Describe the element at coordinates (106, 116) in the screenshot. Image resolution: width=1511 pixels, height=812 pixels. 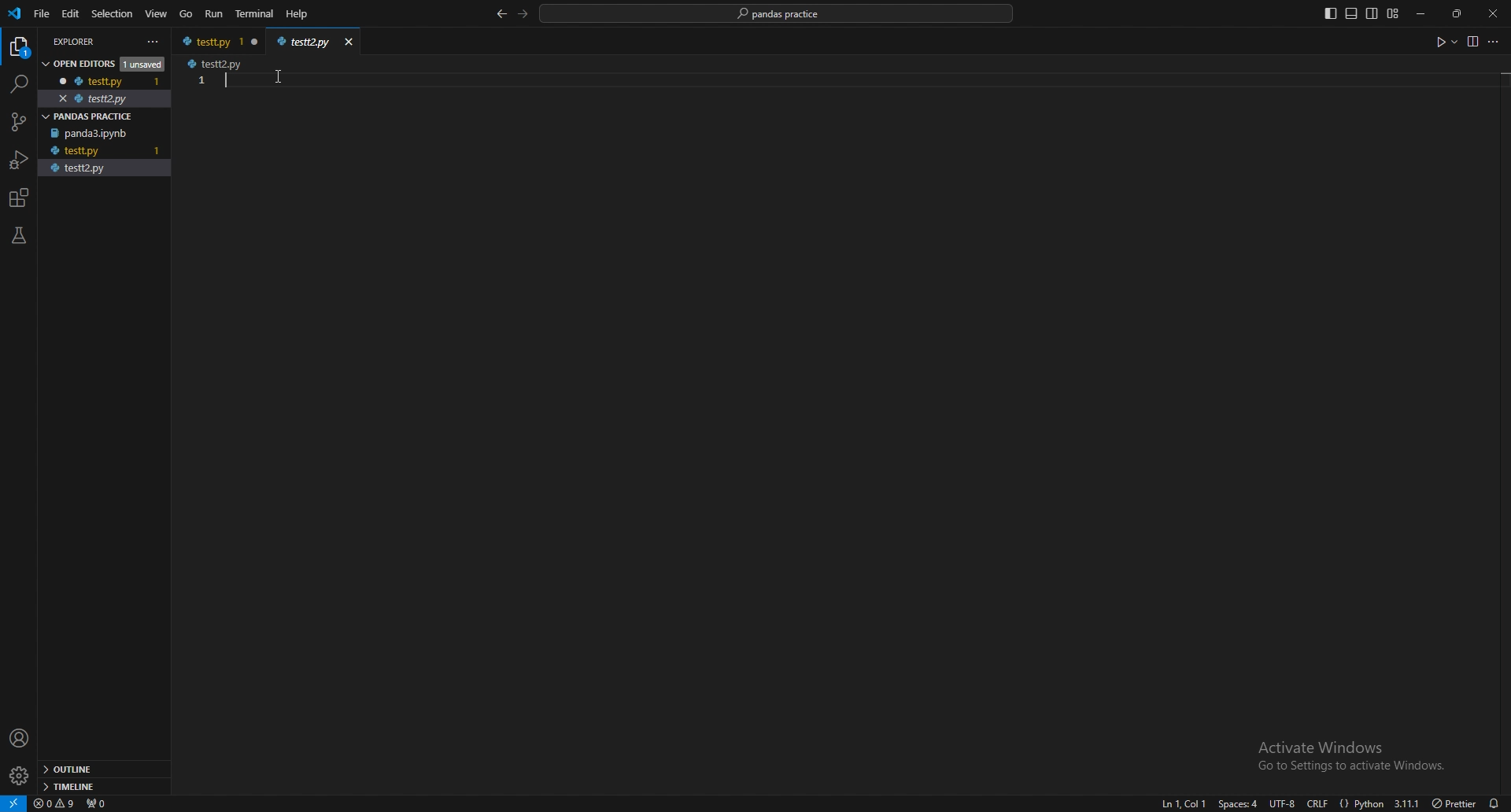
I see `pandas practice` at that location.